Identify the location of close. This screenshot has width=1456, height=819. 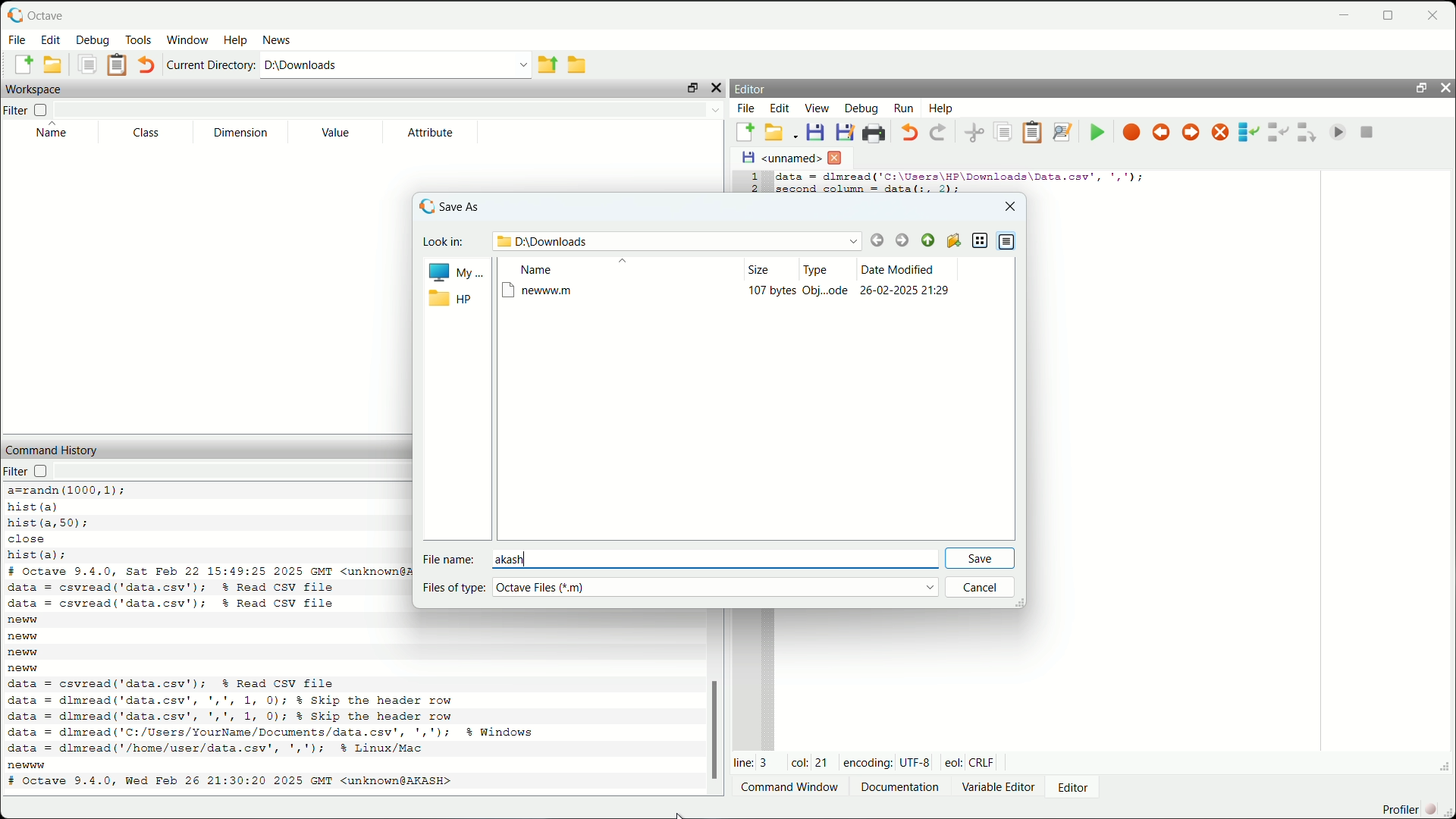
(1437, 11).